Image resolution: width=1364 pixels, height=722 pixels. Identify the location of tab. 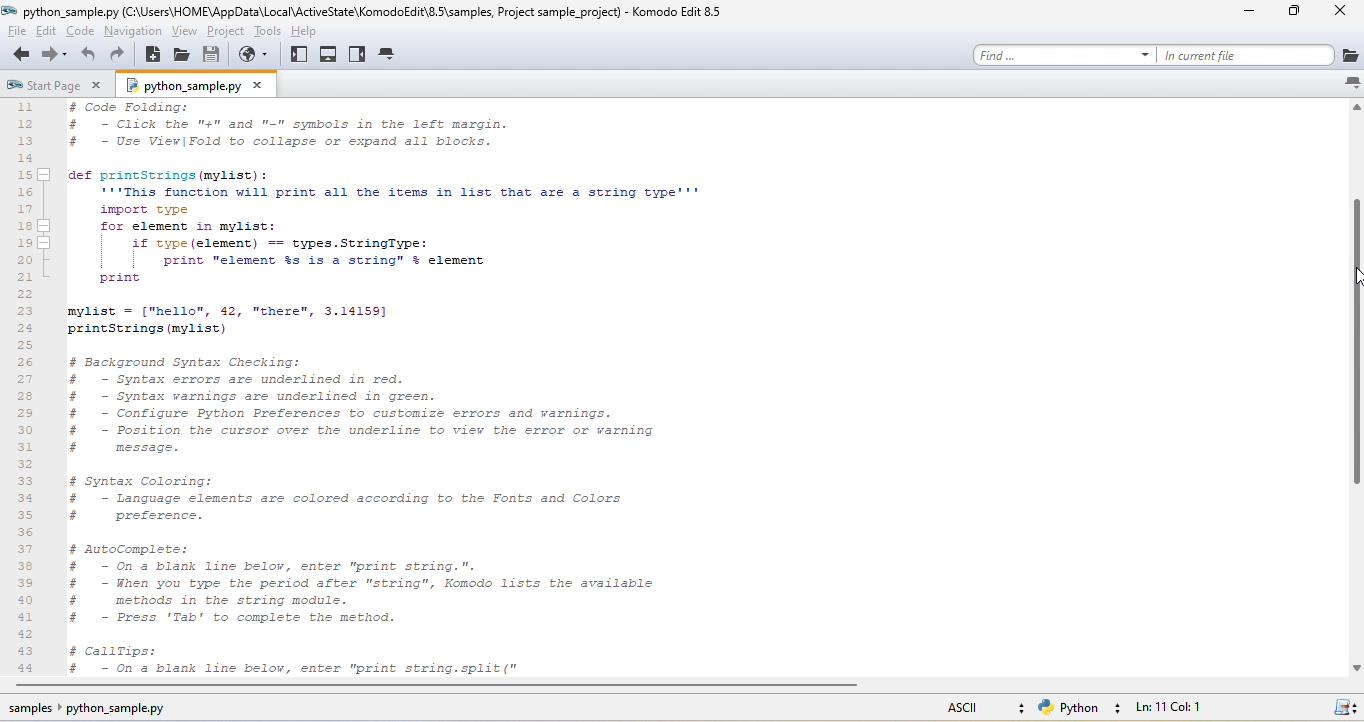
(389, 55).